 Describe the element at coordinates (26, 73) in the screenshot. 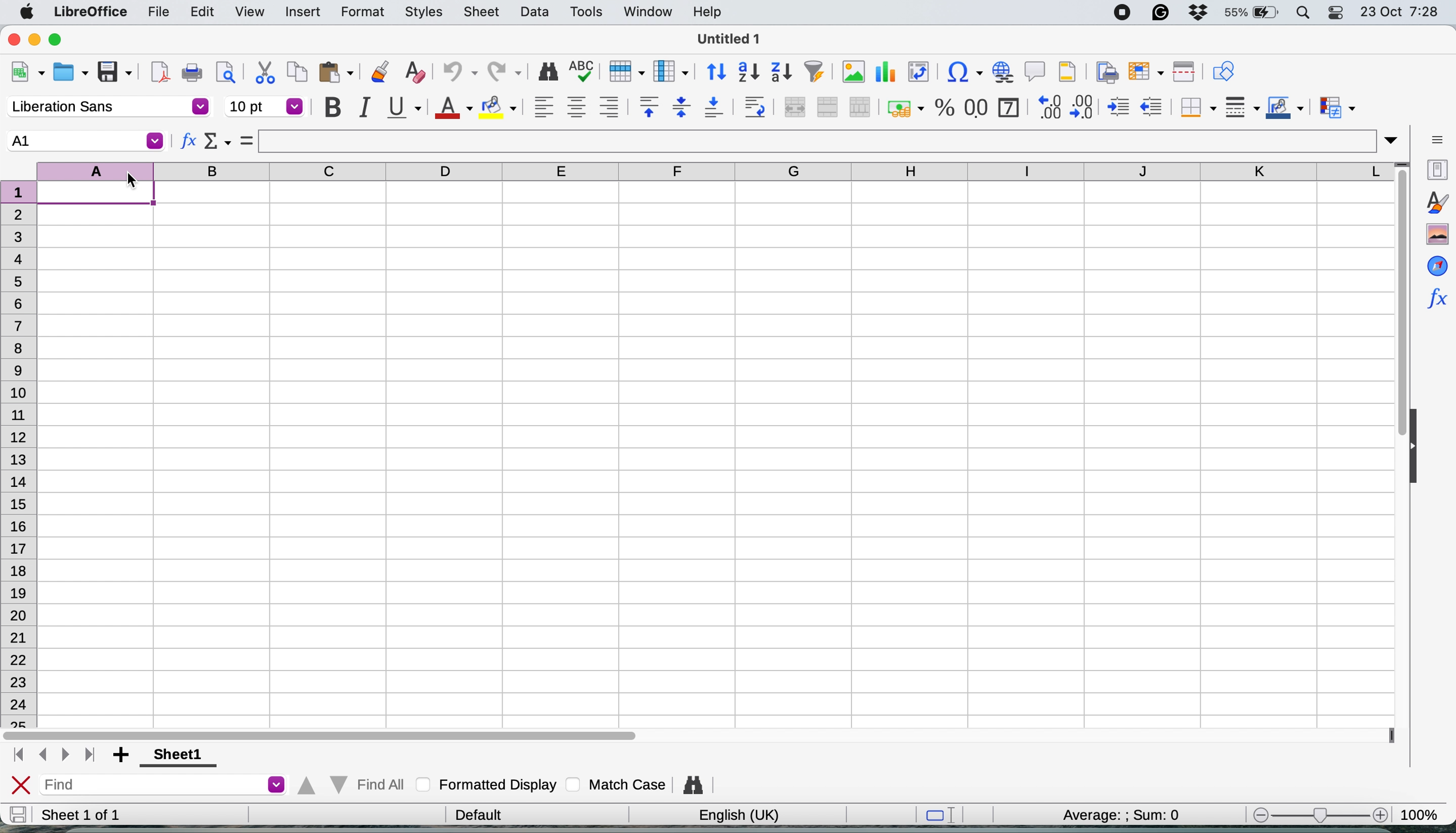

I see `new` at that location.